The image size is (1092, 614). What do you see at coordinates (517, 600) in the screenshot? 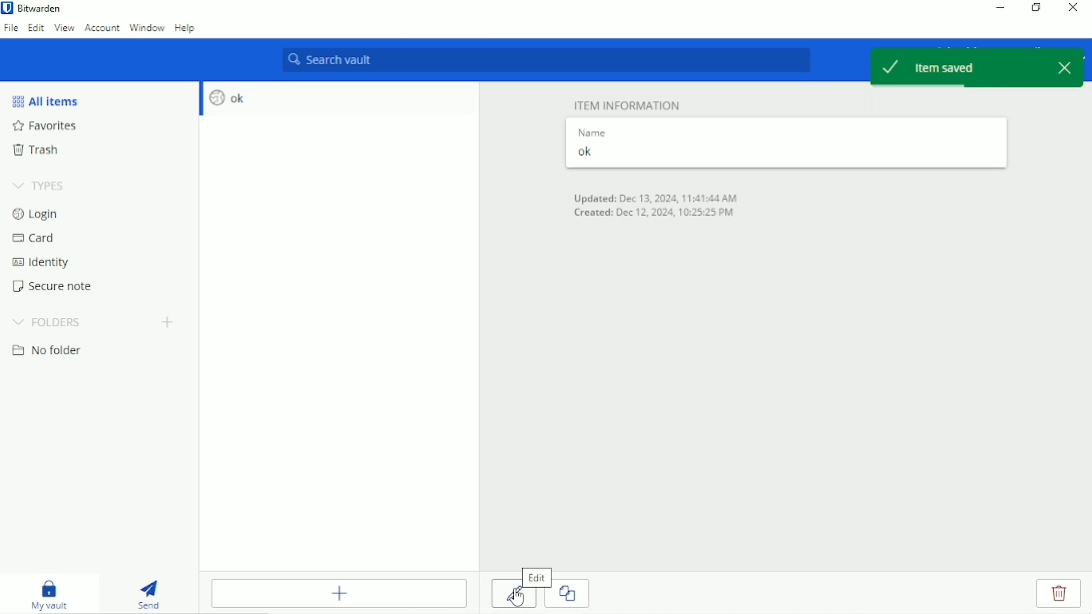
I see `Cursor` at bounding box center [517, 600].